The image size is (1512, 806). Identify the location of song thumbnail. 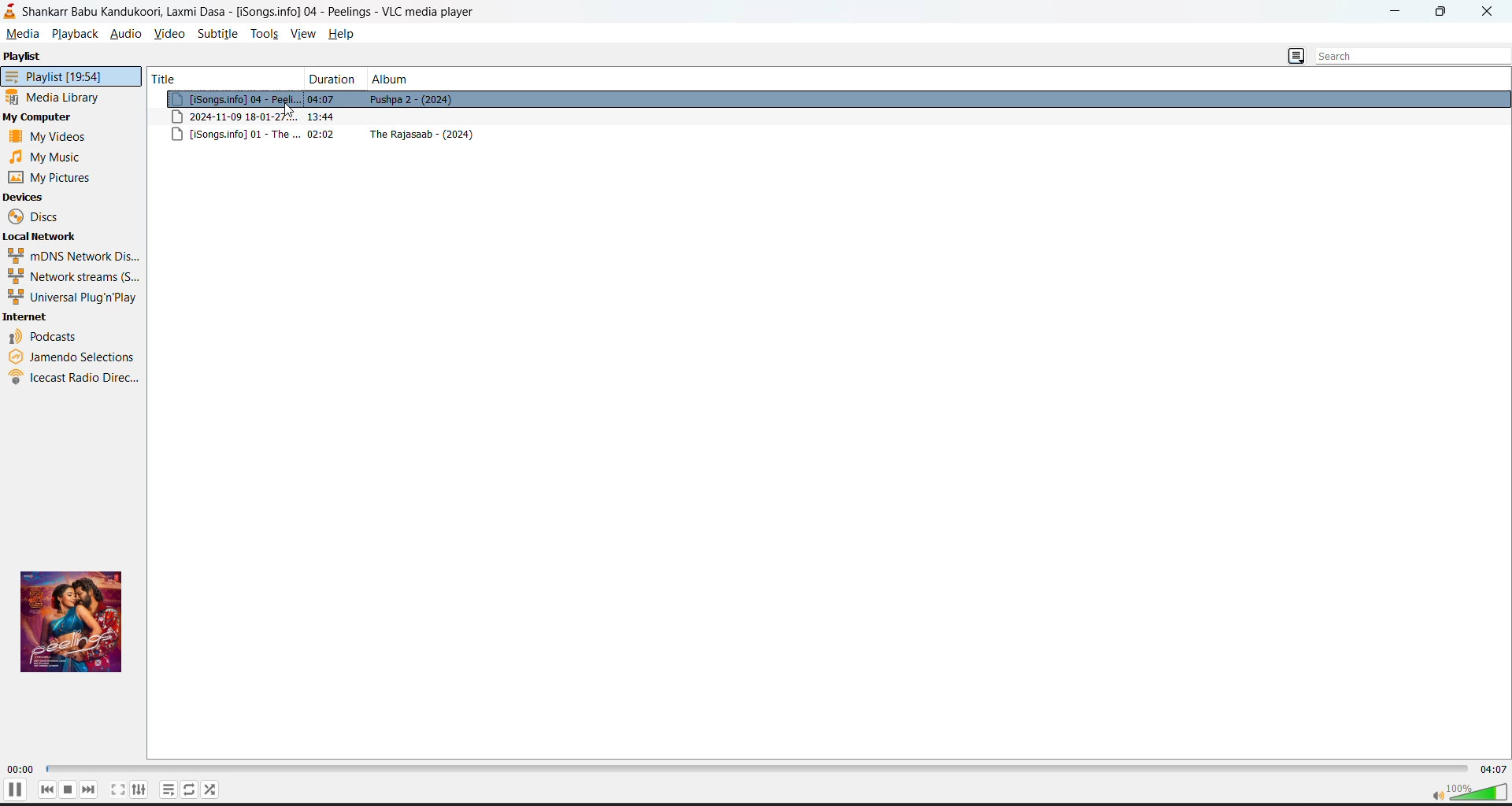
(71, 621).